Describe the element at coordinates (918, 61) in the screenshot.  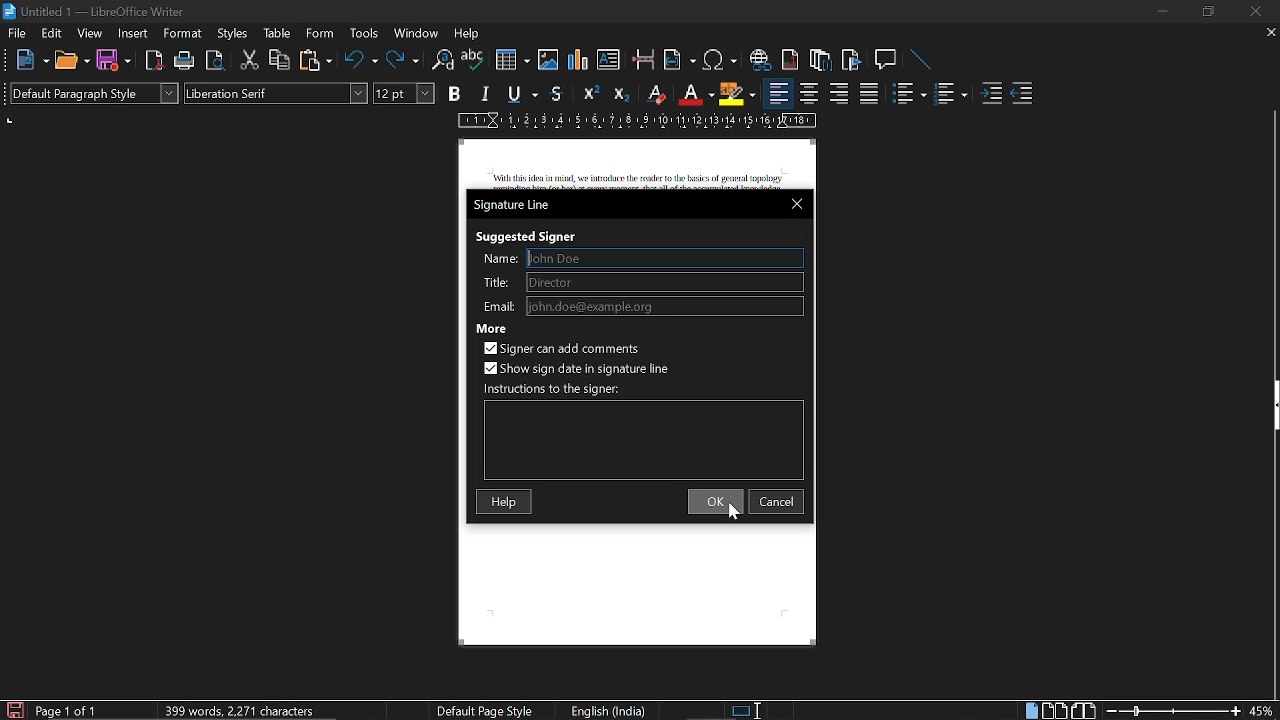
I see `line` at that location.